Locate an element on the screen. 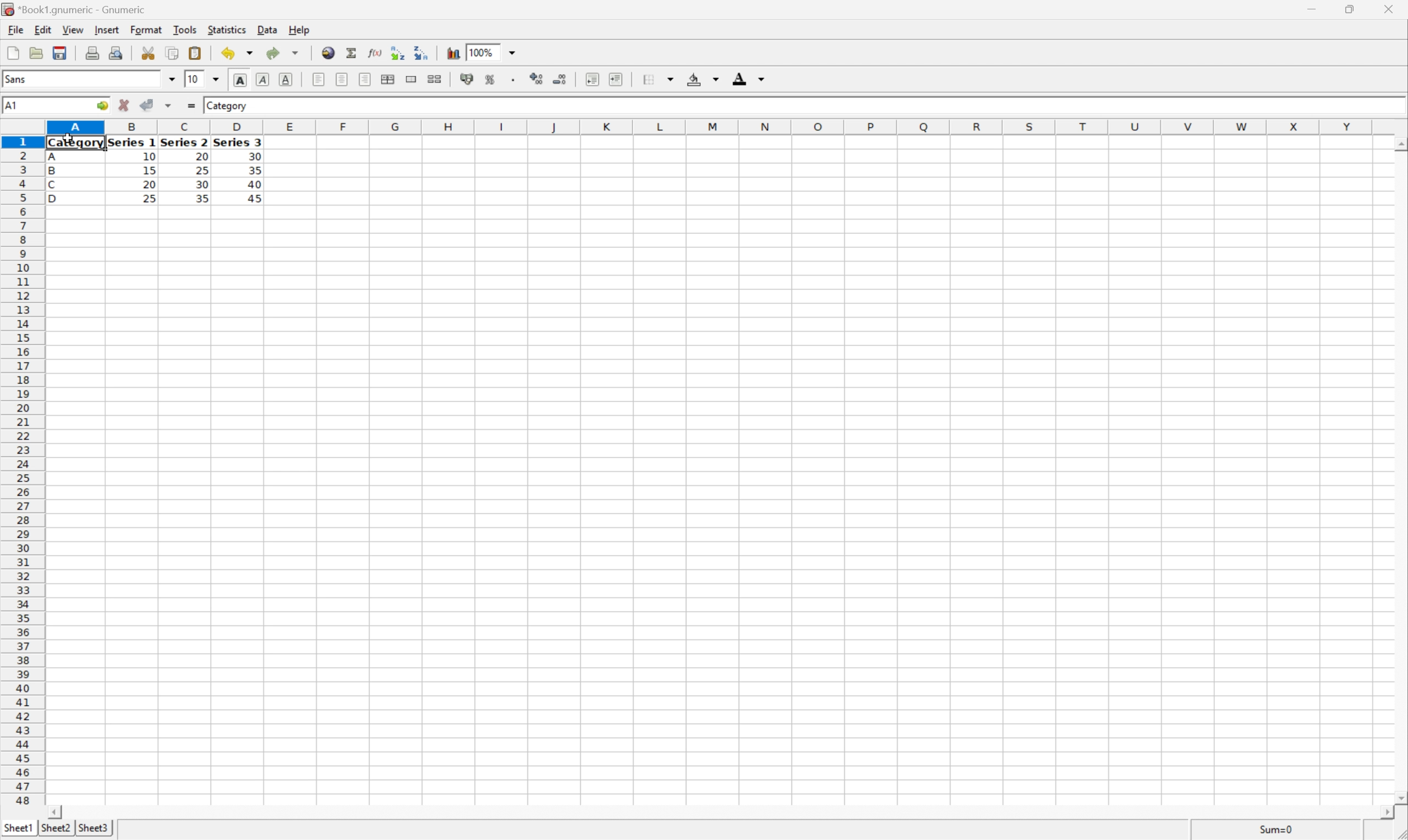 This screenshot has height=840, width=1408. Category is located at coordinates (228, 106).